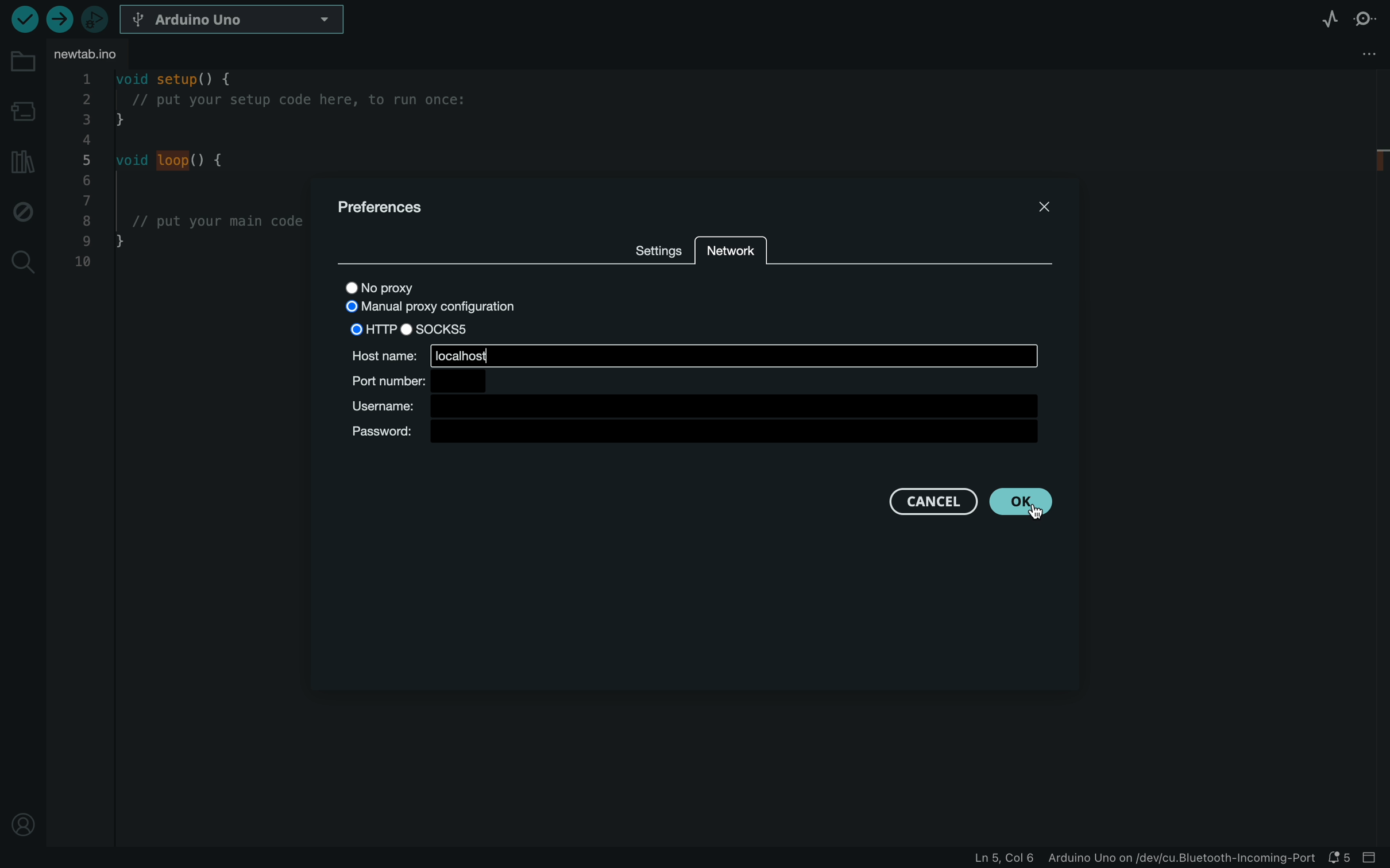  What do you see at coordinates (184, 196) in the screenshot?
I see `code` at bounding box center [184, 196].